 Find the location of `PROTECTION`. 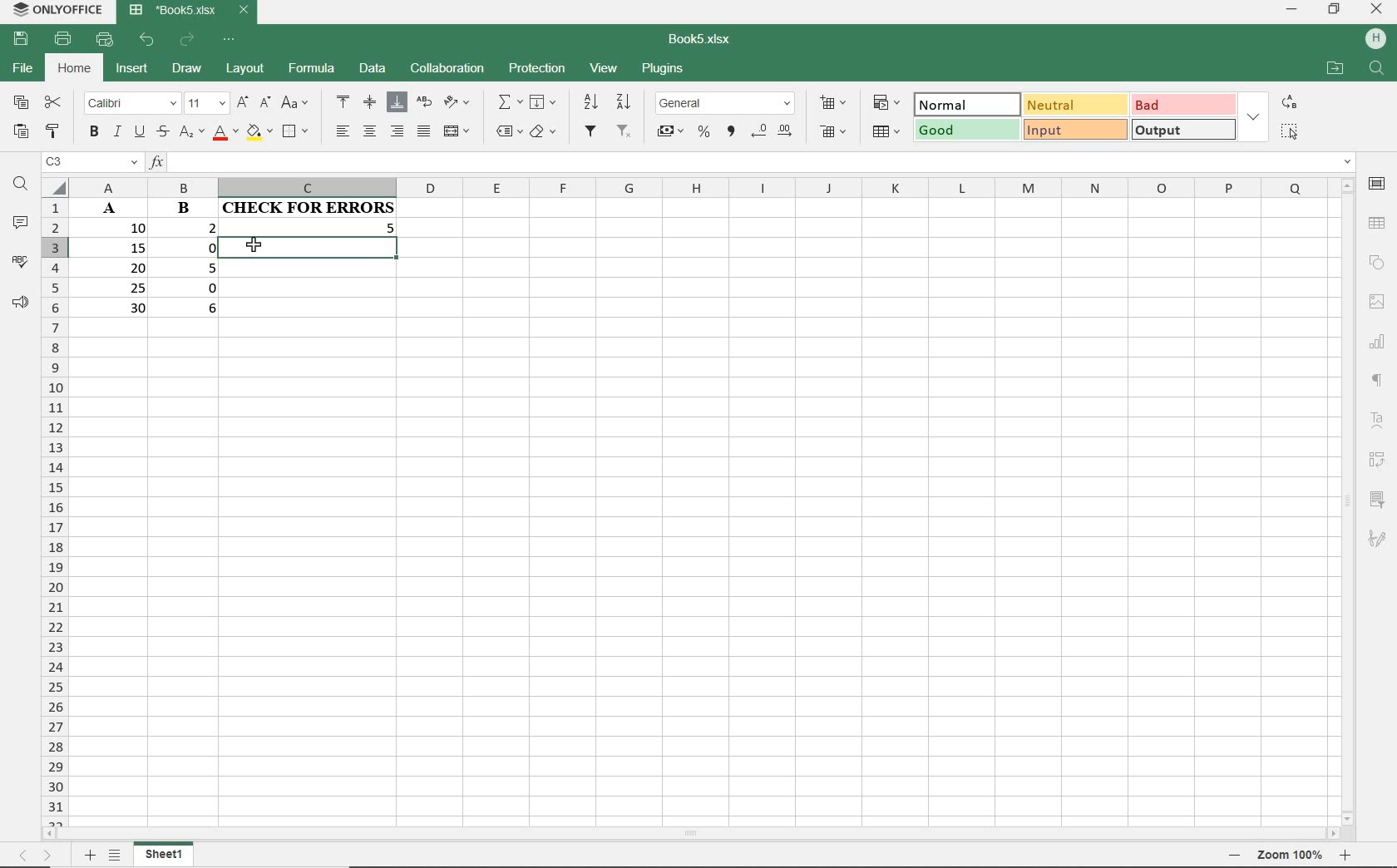

PROTECTION is located at coordinates (536, 69).